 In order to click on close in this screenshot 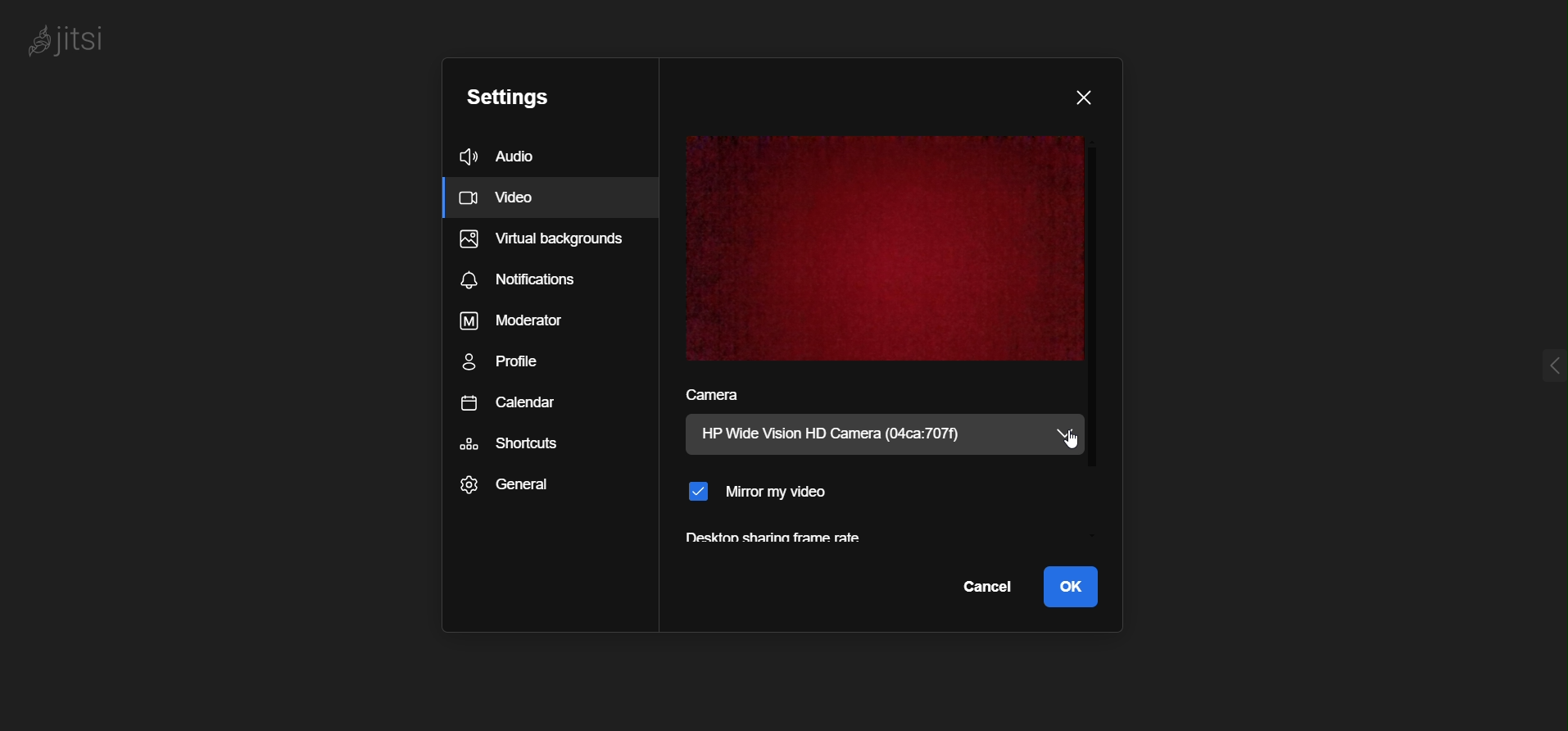, I will do `click(1082, 95)`.